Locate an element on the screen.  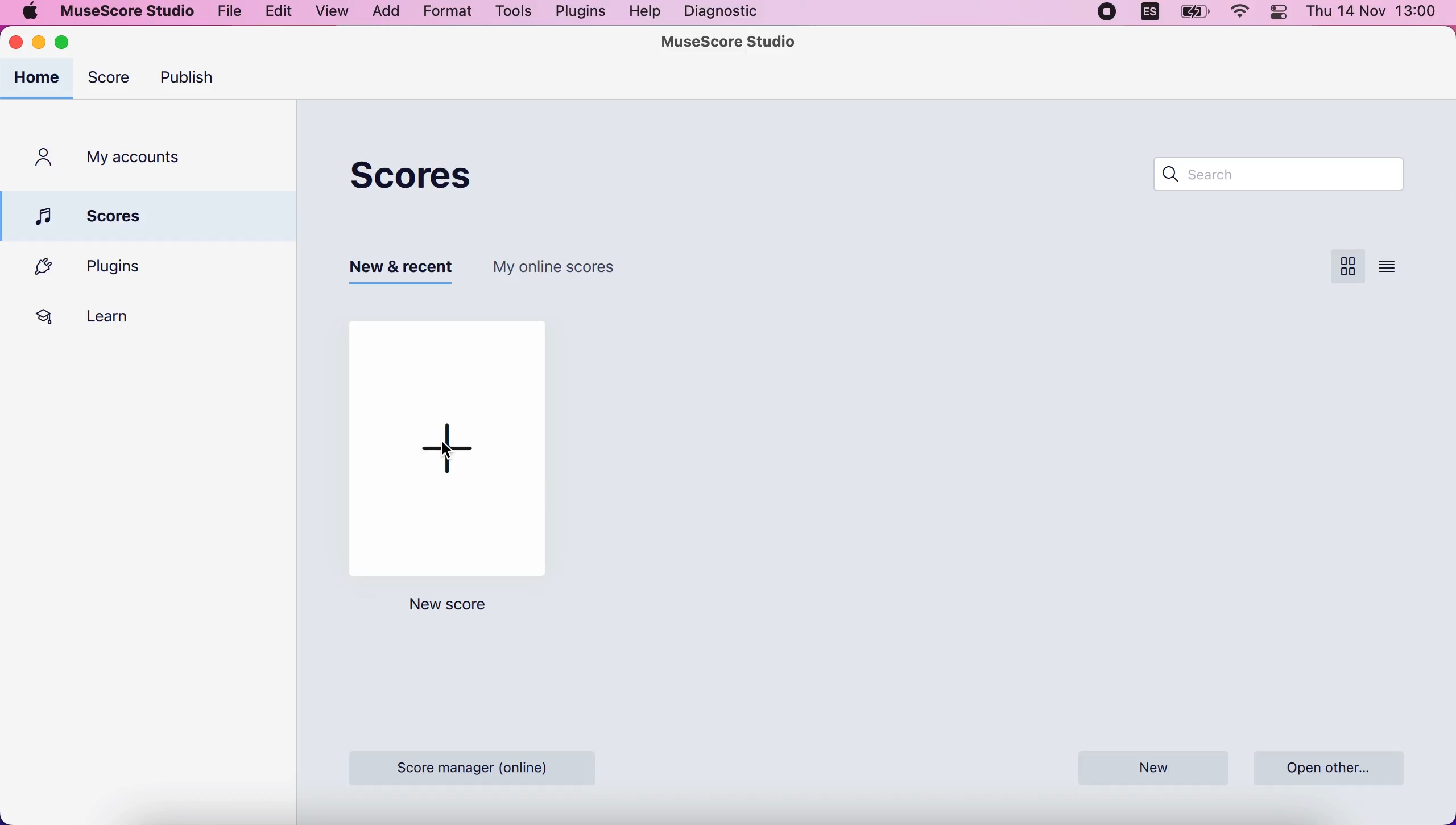
edit is located at coordinates (279, 13).